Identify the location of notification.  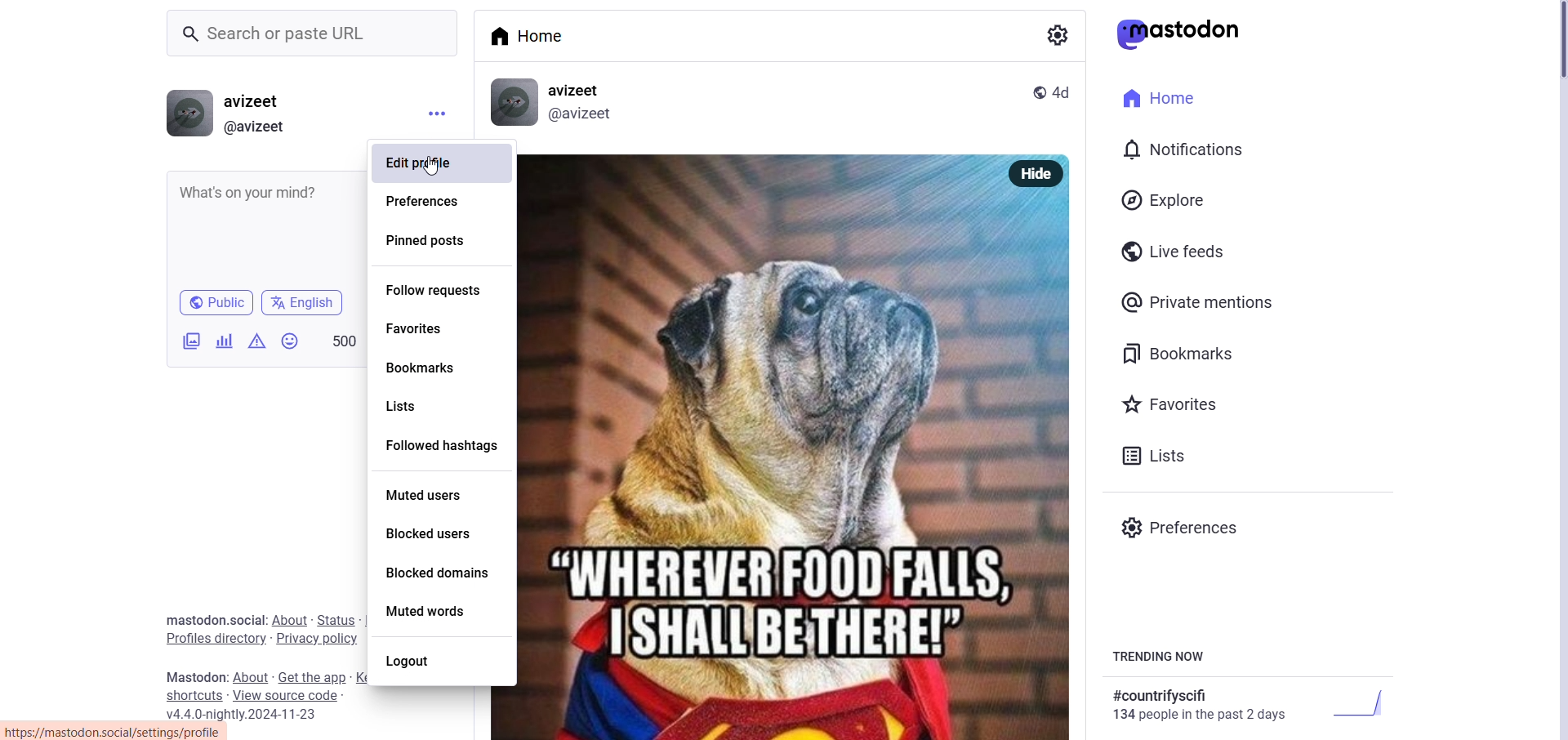
(1183, 148).